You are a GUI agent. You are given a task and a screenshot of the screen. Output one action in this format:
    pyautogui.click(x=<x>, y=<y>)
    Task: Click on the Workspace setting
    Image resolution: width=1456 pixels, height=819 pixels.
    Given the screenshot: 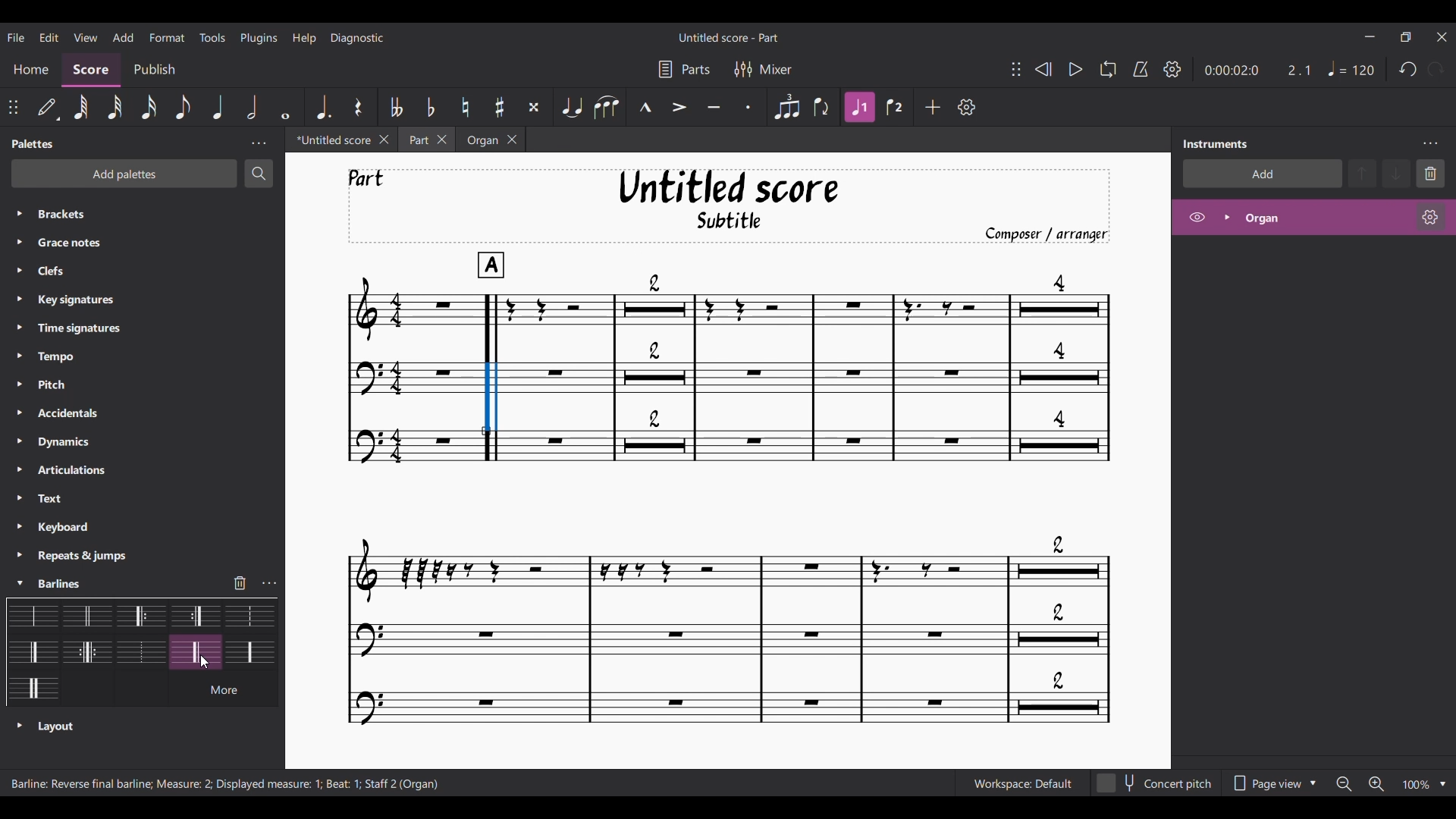 What is the action you would take?
    pyautogui.click(x=1022, y=783)
    